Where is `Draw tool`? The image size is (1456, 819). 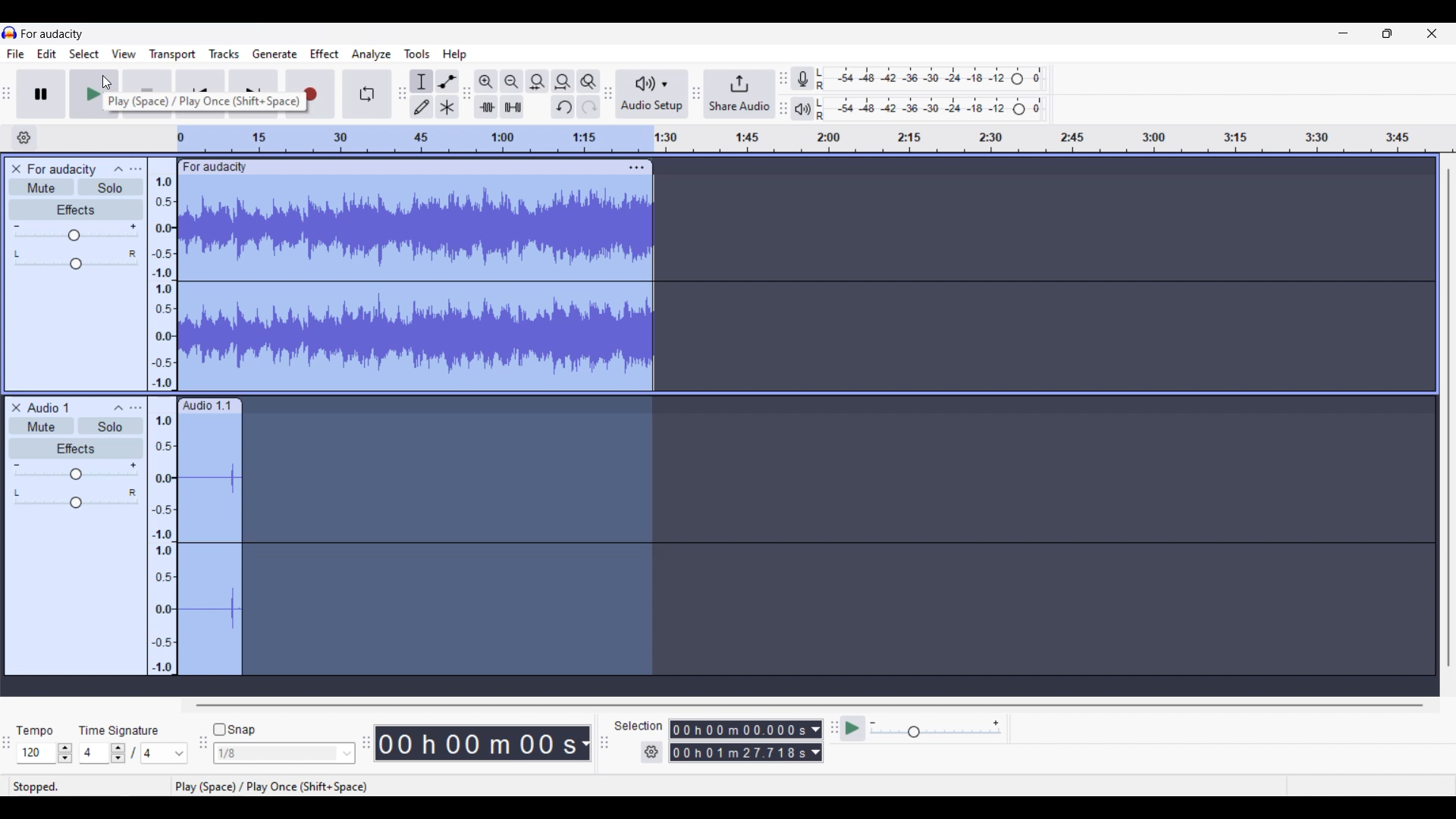 Draw tool is located at coordinates (422, 107).